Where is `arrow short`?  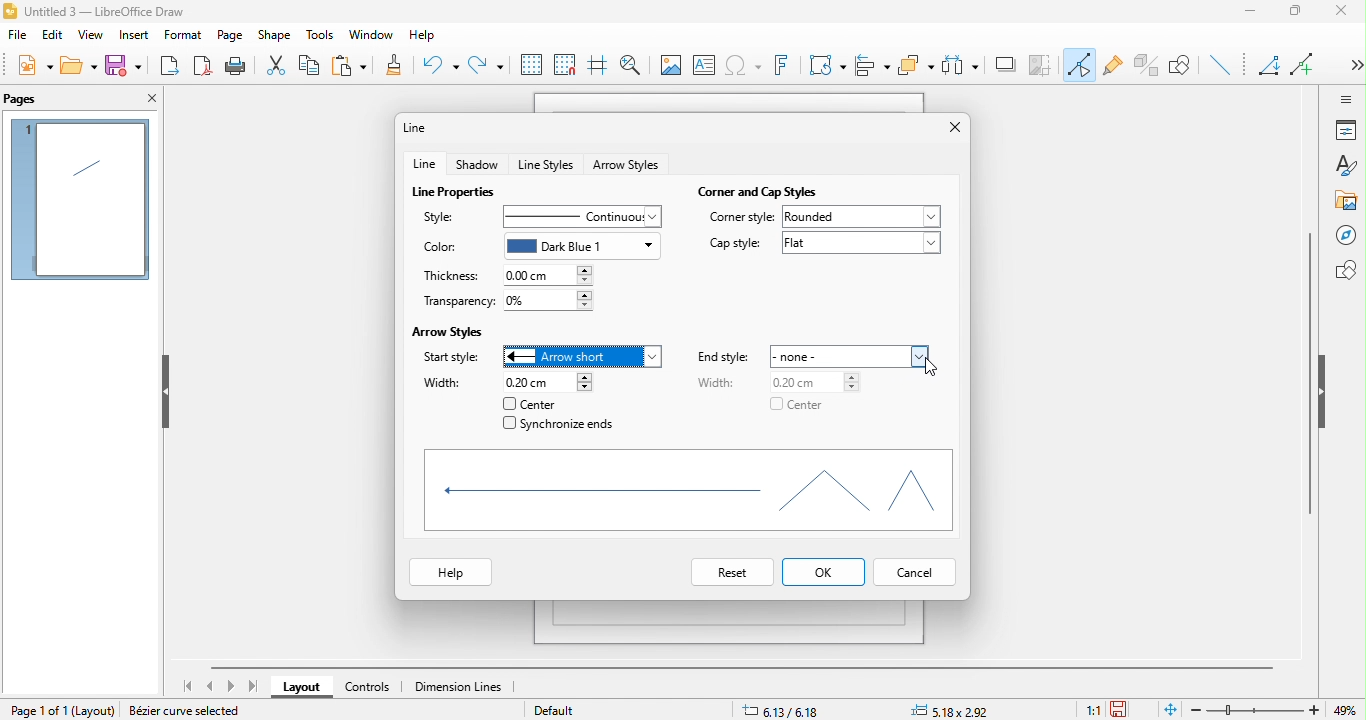 arrow short is located at coordinates (588, 357).